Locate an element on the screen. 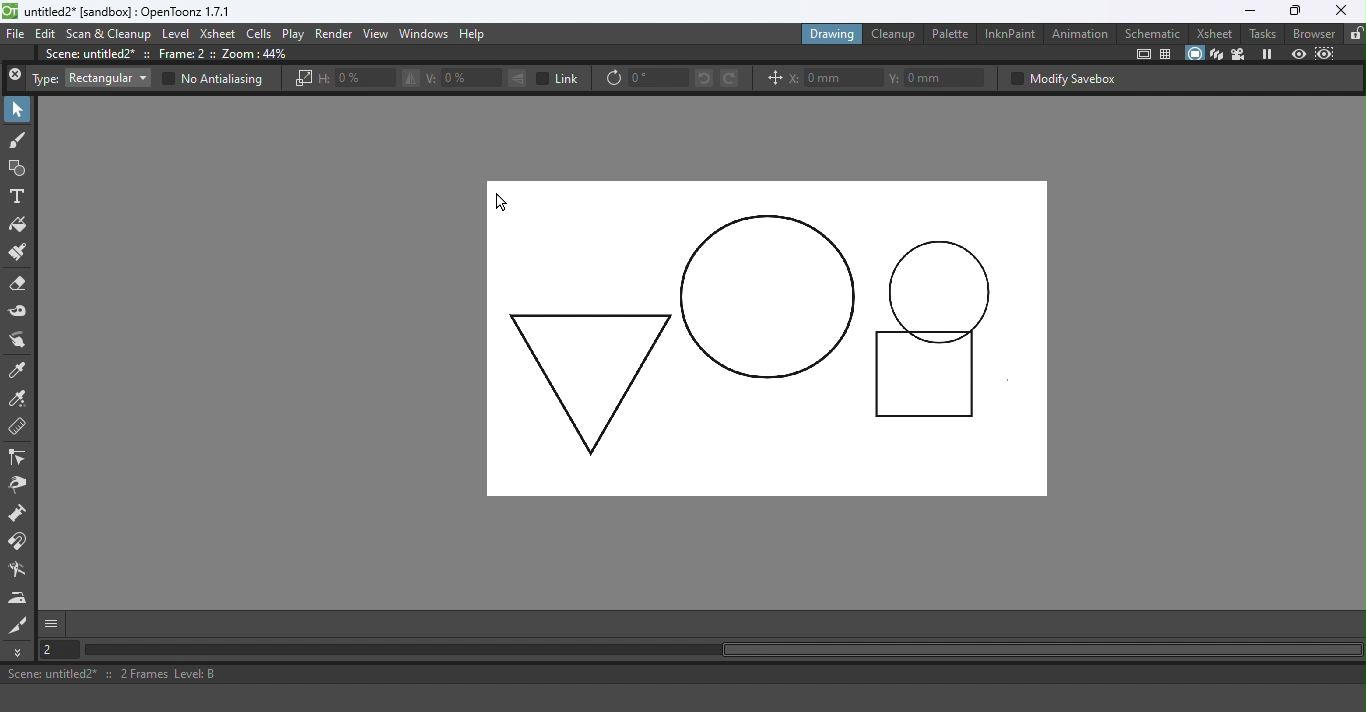 Image resolution: width=1366 pixels, height=712 pixels. Rotate selection left is located at coordinates (702, 77).